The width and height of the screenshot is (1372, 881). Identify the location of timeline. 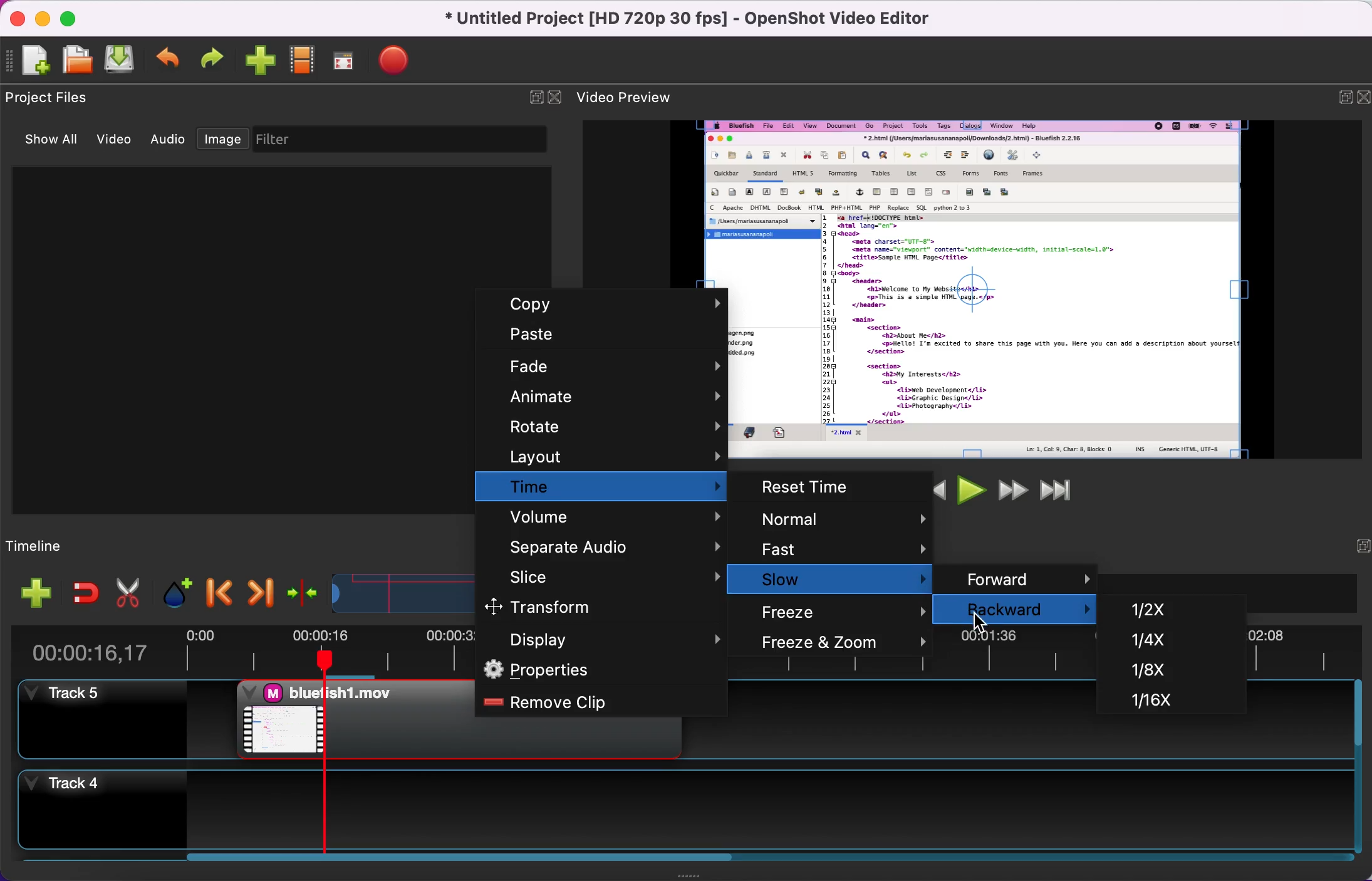
(390, 590).